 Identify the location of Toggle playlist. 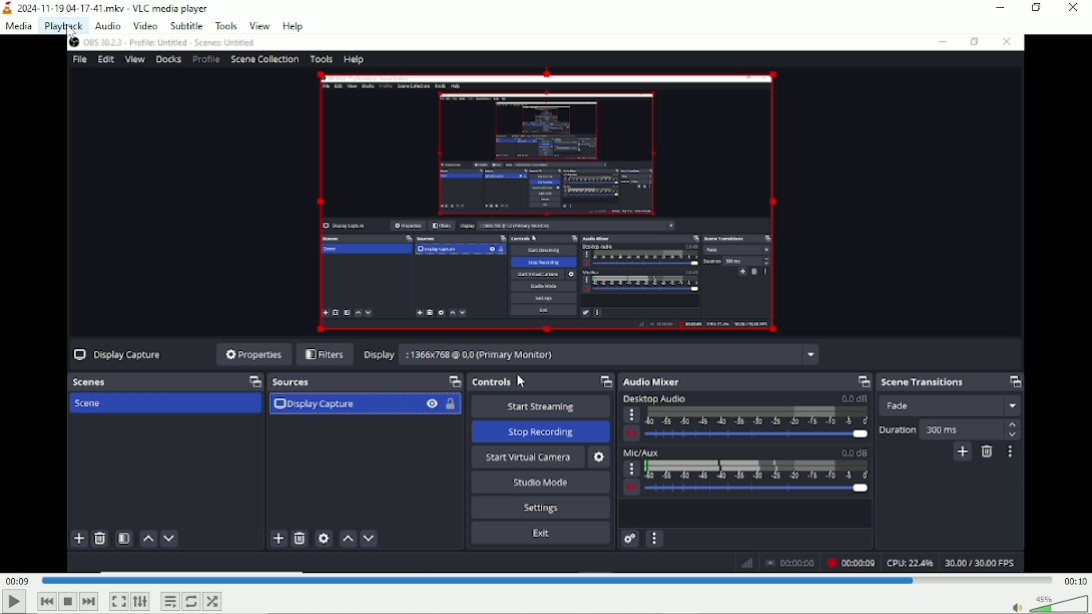
(168, 602).